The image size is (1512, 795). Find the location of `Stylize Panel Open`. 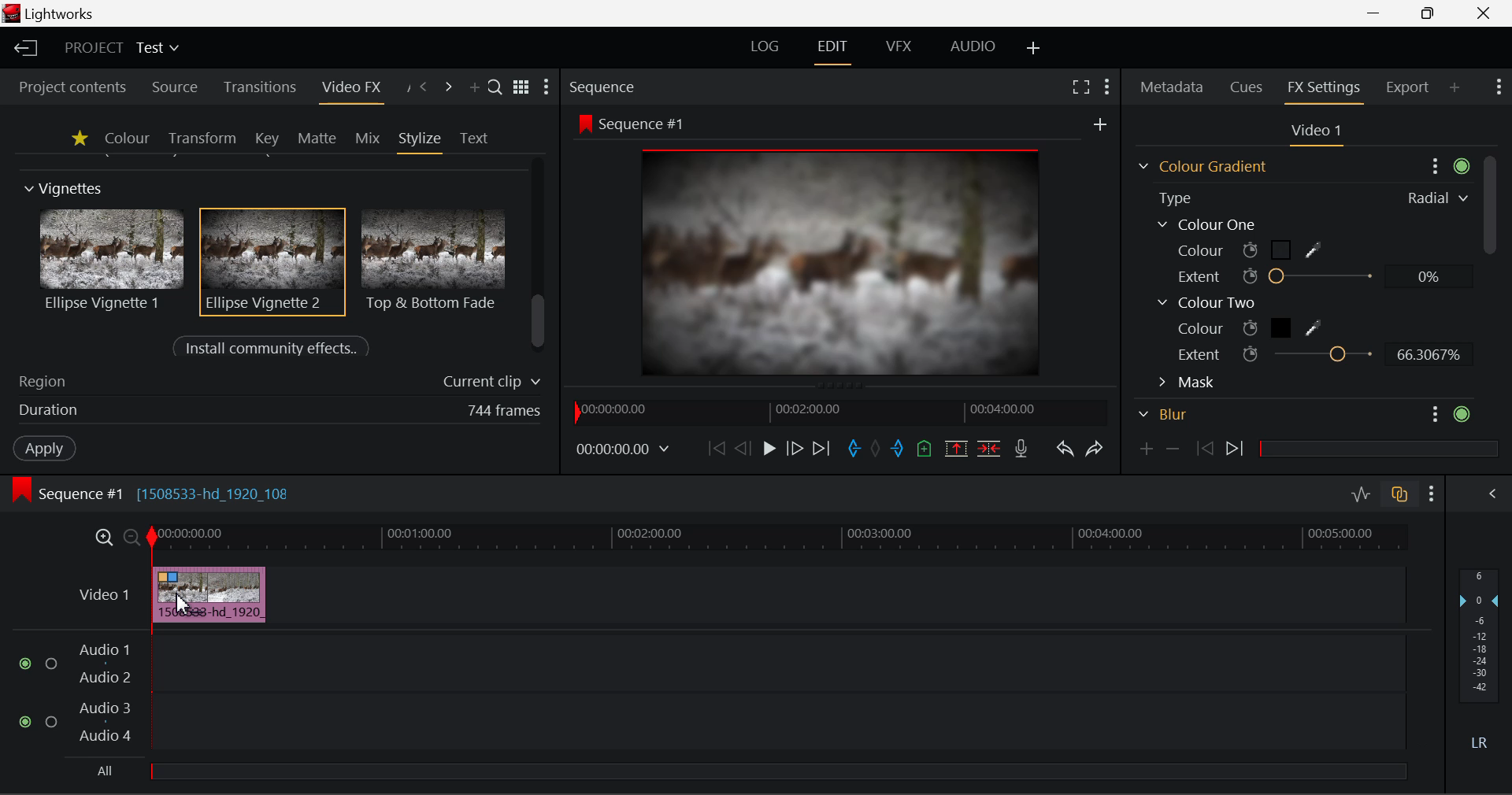

Stylize Panel Open is located at coordinates (421, 138).